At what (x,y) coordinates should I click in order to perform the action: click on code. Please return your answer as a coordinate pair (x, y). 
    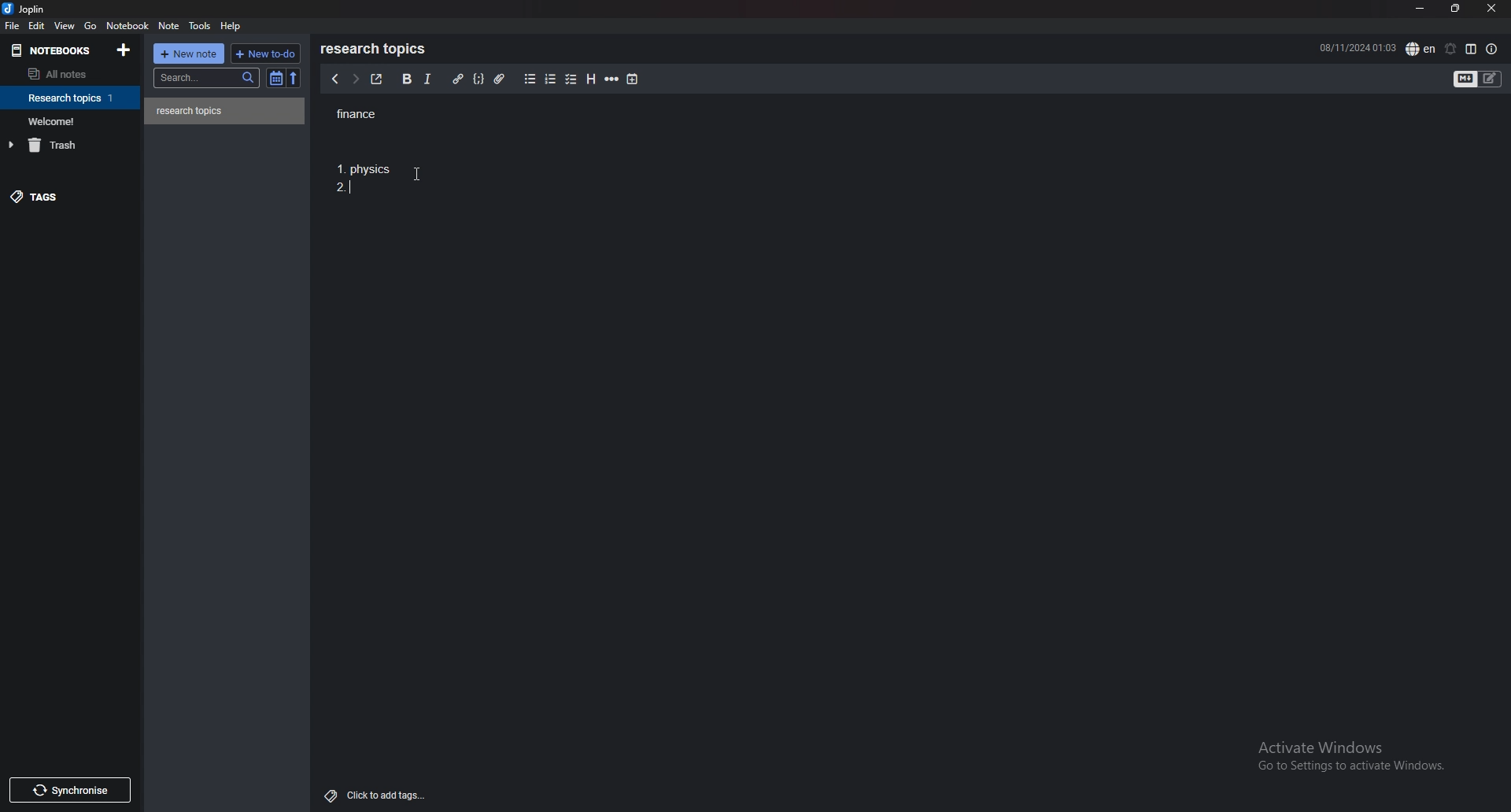
    Looking at the image, I should click on (479, 78).